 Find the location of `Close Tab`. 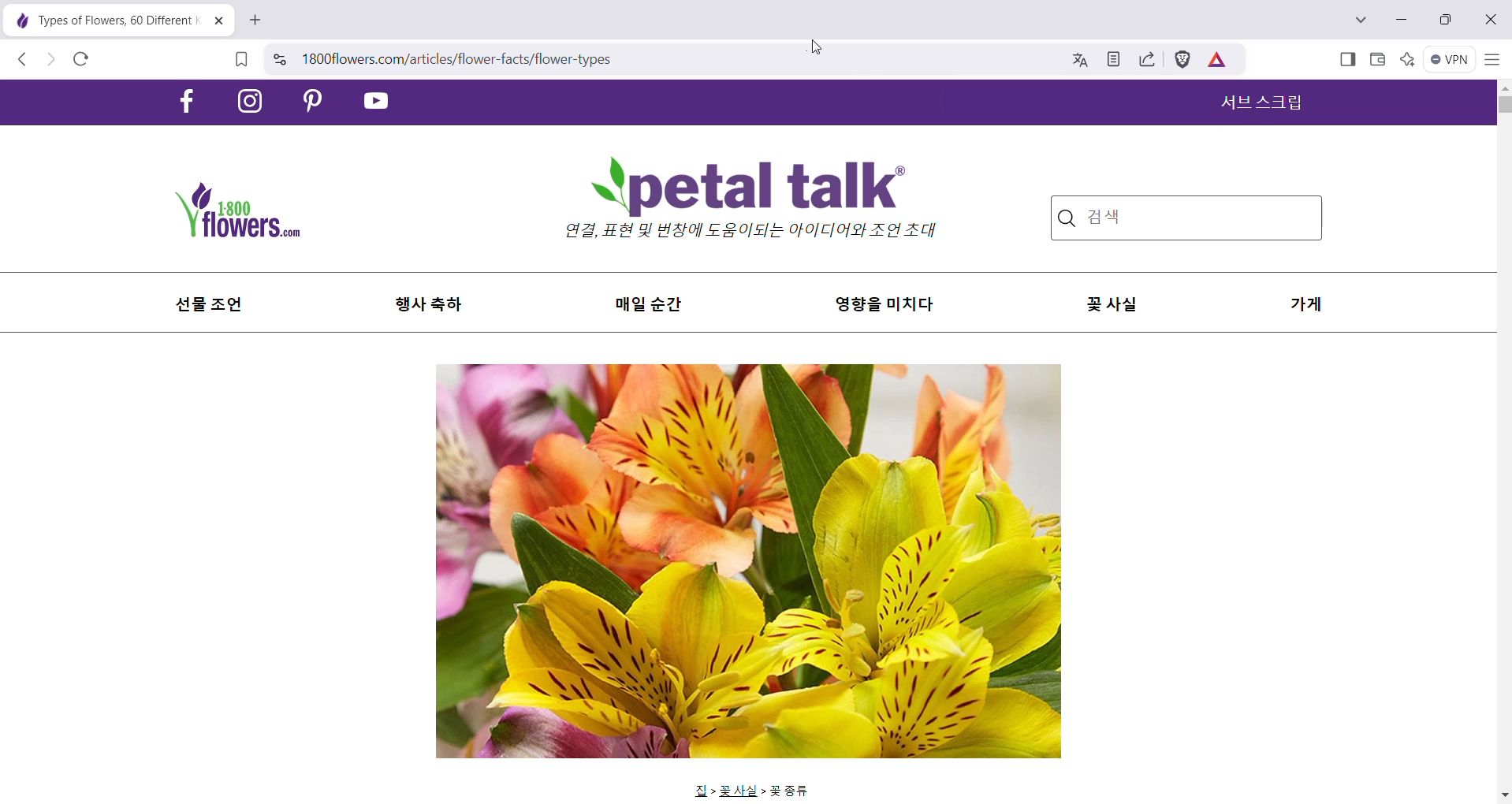

Close Tab is located at coordinates (216, 20).